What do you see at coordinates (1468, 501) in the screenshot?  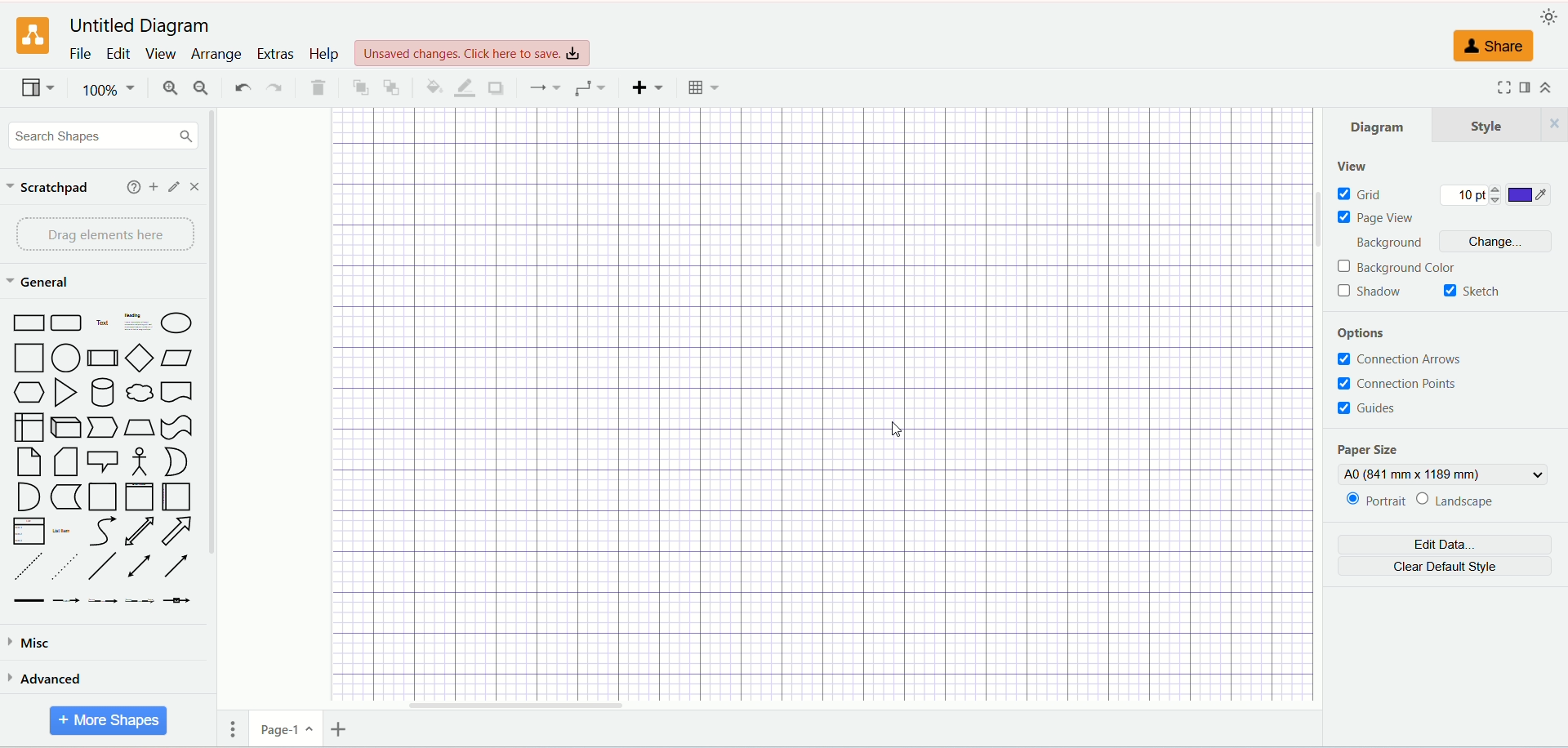 I see `landscape` at bounding box center [1468, 501].